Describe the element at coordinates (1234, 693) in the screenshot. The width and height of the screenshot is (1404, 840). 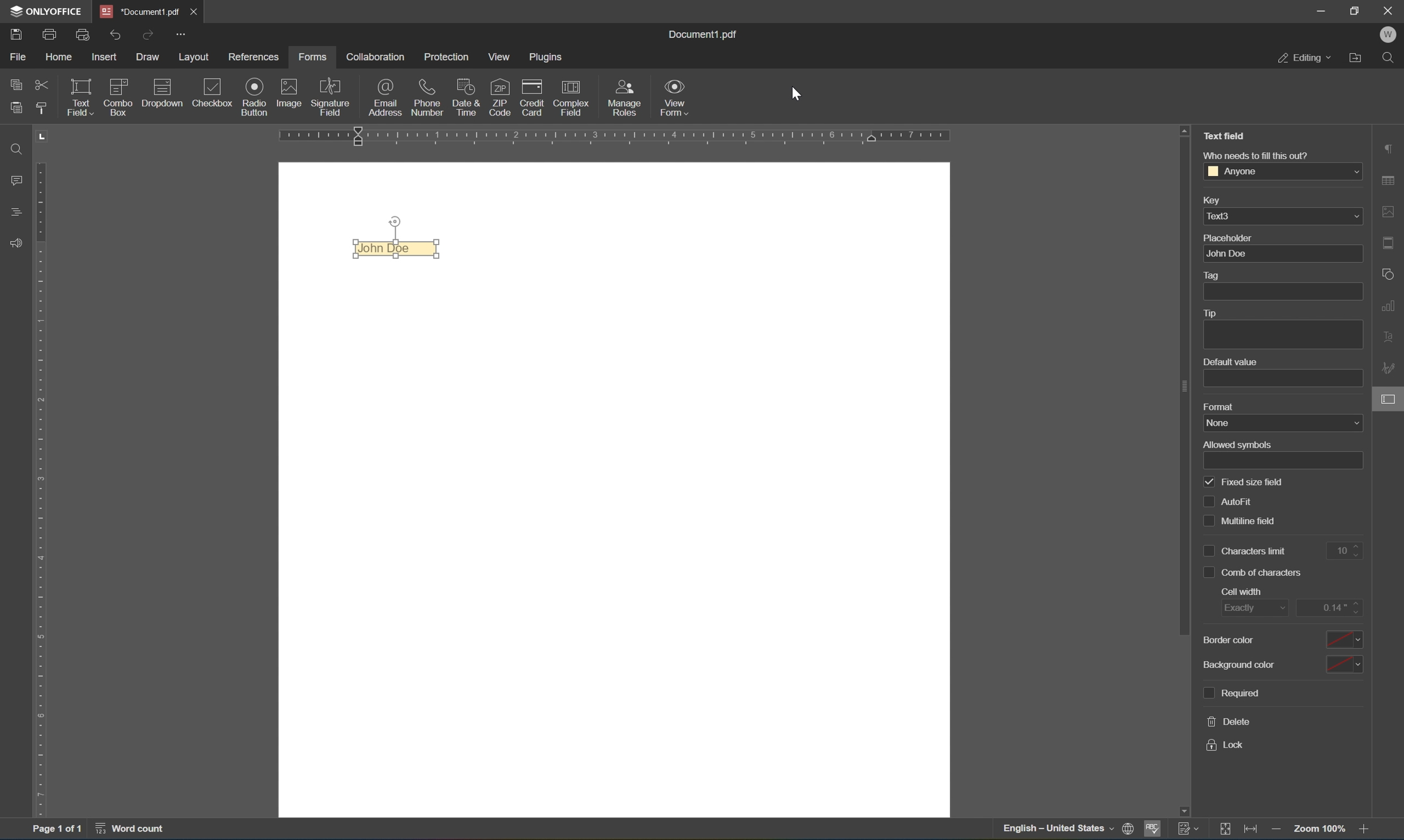
I see `required` at that location.